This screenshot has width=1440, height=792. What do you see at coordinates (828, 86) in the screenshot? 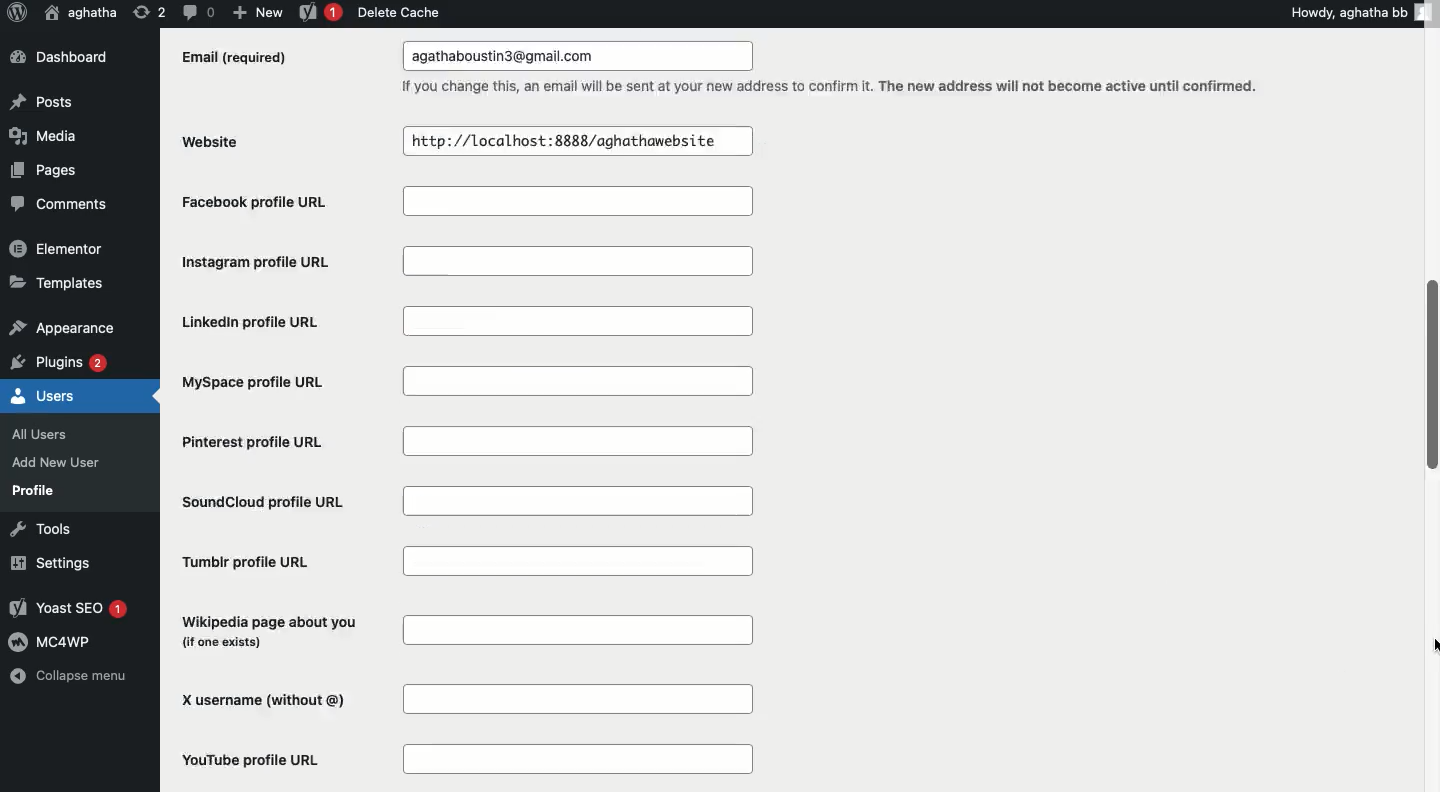
I see `If you change this, an email will be sent at your new address to confirm it. The new address will not become active until confirmed.` at bounding box center [828, 86].